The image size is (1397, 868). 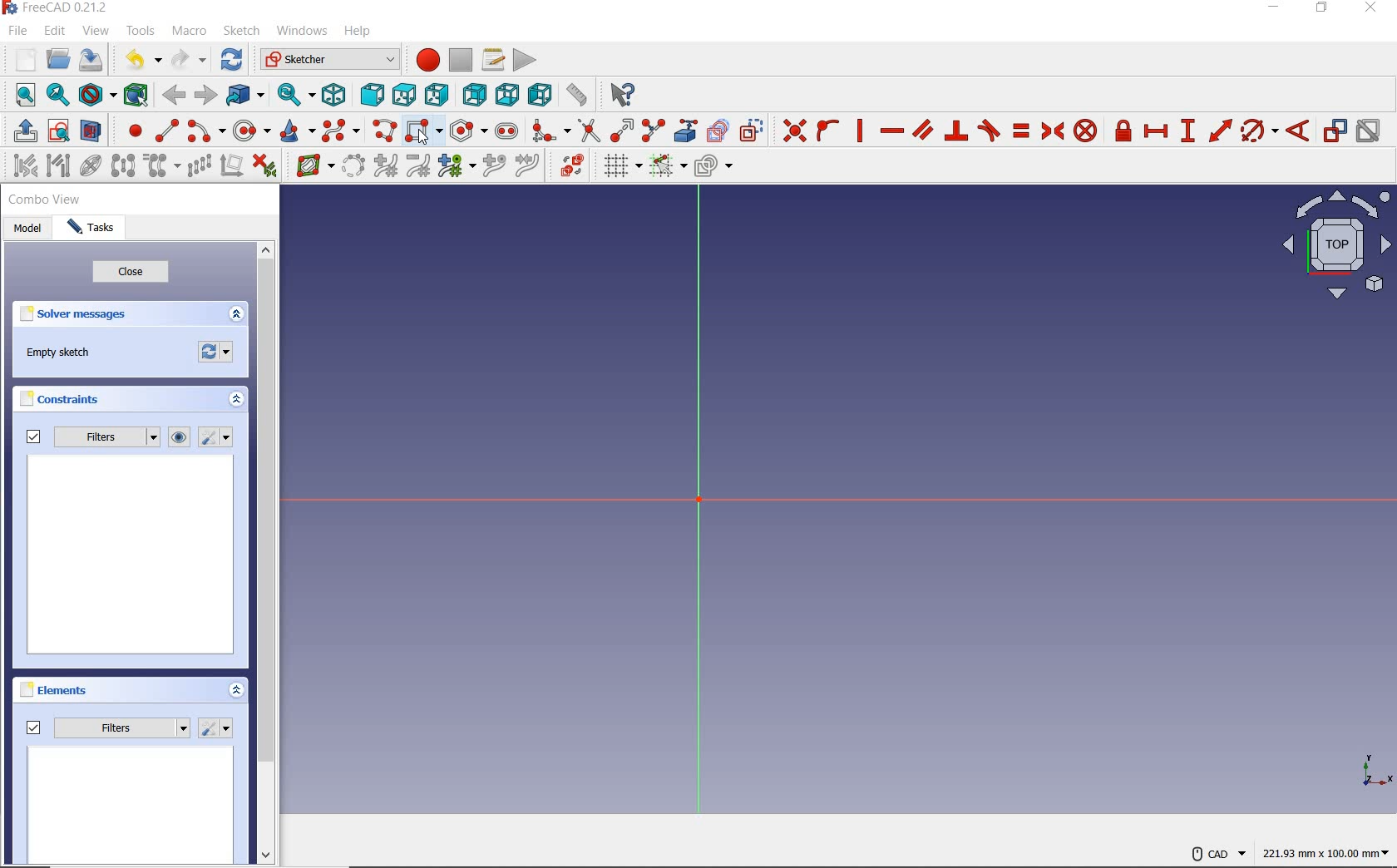 I want to click on redo, so click(x=189, y=60).